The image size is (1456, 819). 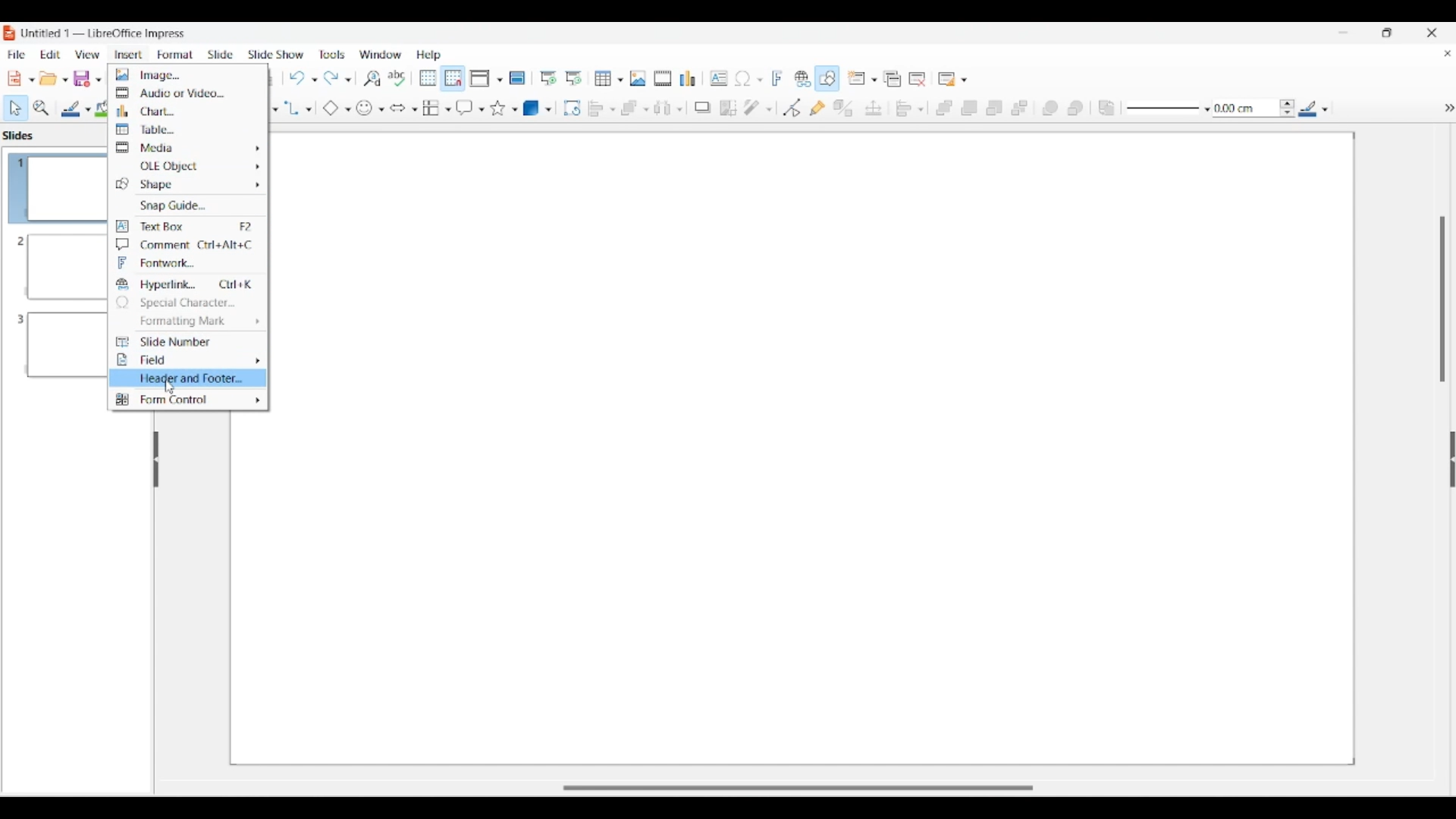 What do you see at coordinates (1445, 106) in the screenshot?
I see `hide` at bounding box center [1445, 106].